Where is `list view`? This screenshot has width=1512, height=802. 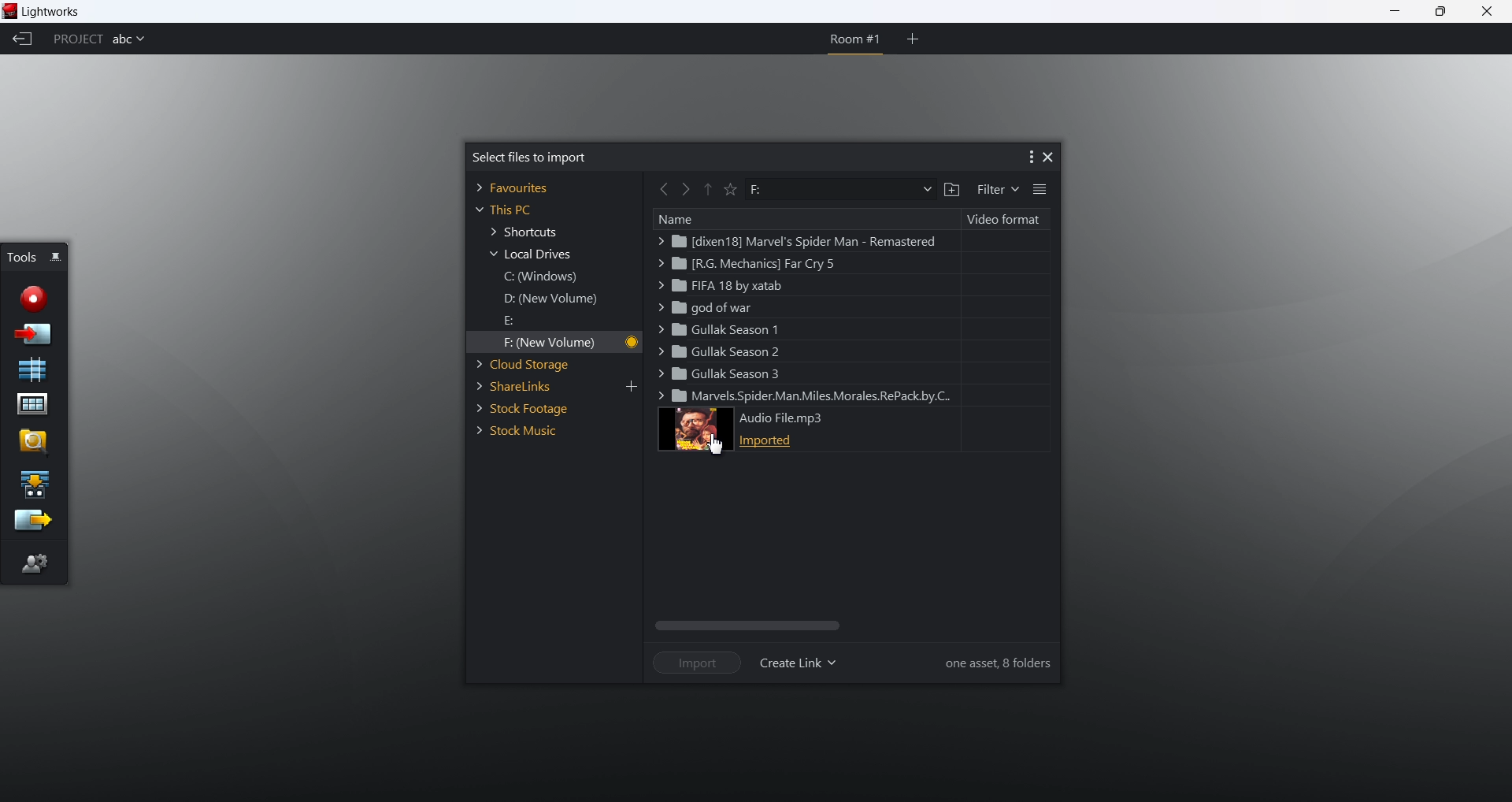
list view is located at coordinates (1042, 191).